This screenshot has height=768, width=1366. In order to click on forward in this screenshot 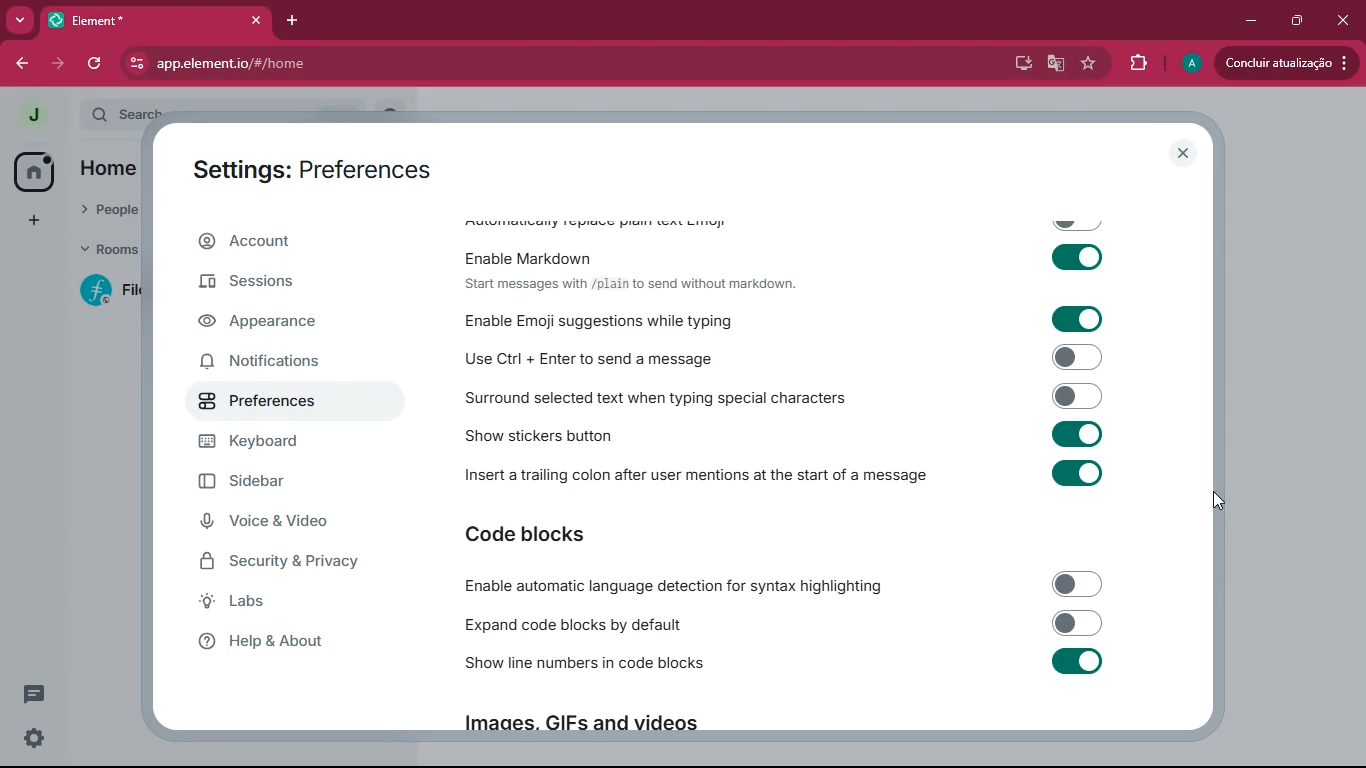, I will do `click(60, 63)`.